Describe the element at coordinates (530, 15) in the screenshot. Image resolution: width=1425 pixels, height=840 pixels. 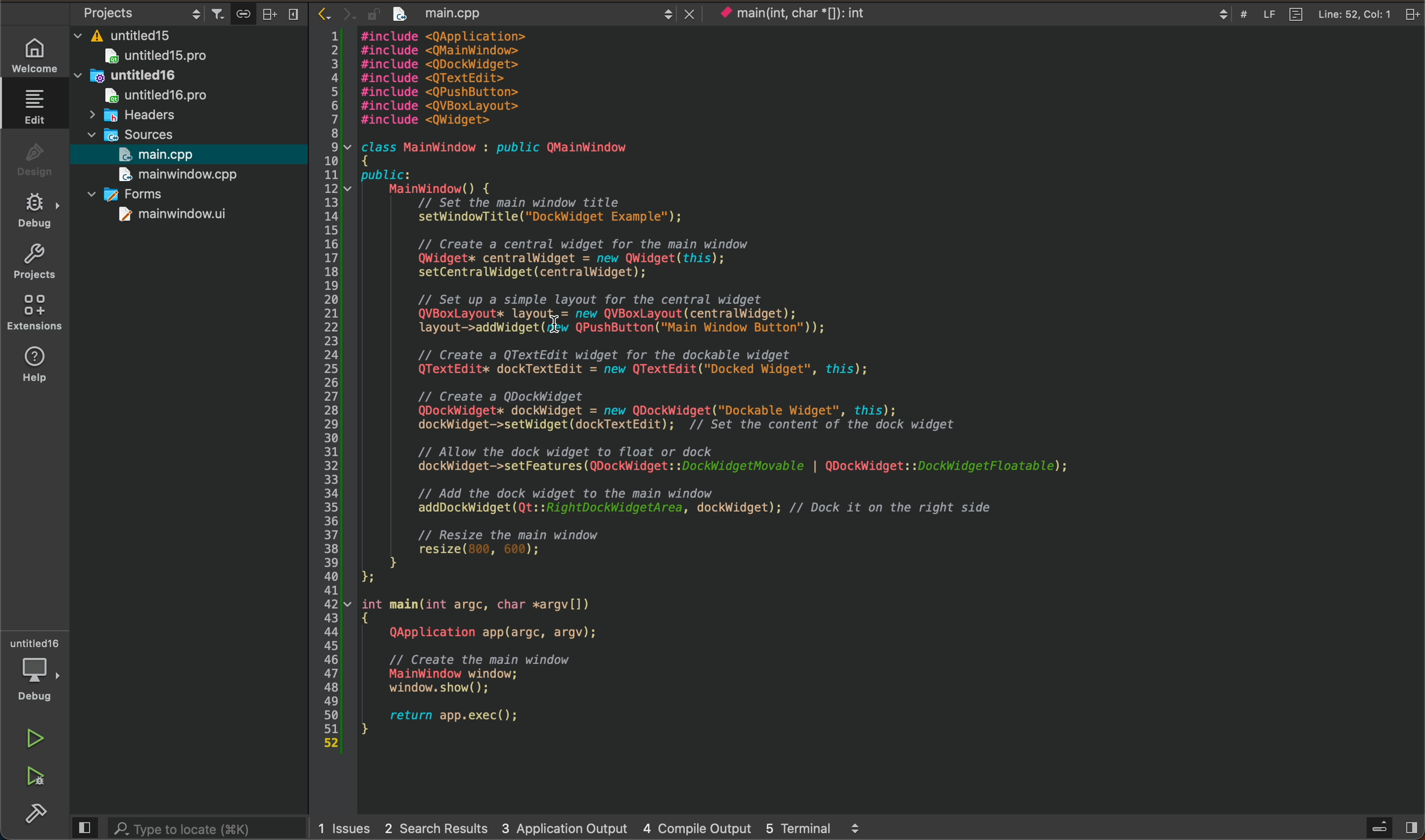
I see `file tab` at that location.